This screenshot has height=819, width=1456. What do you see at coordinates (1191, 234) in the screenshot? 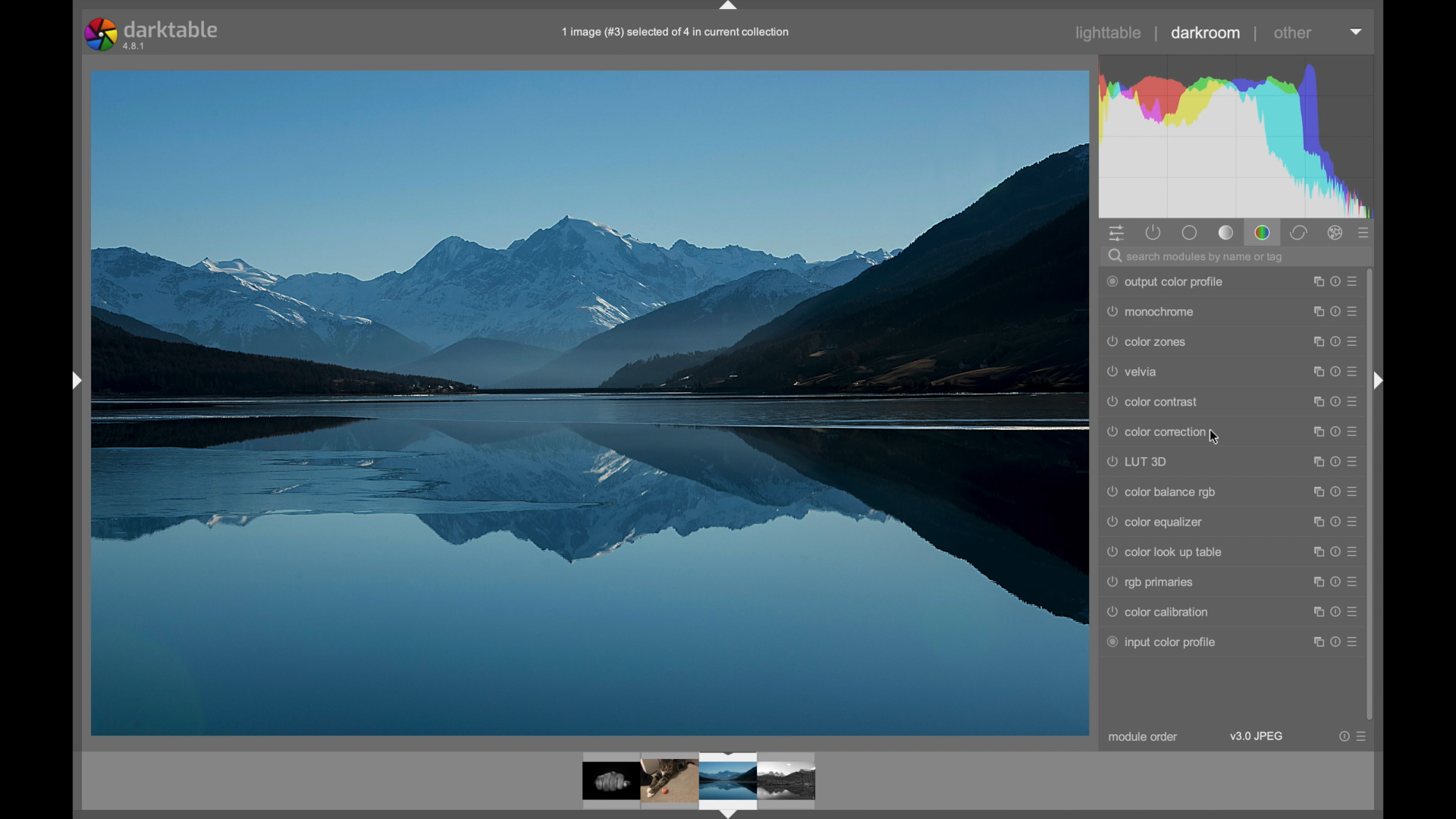
I see `base` at bounding box center [1191, 234].